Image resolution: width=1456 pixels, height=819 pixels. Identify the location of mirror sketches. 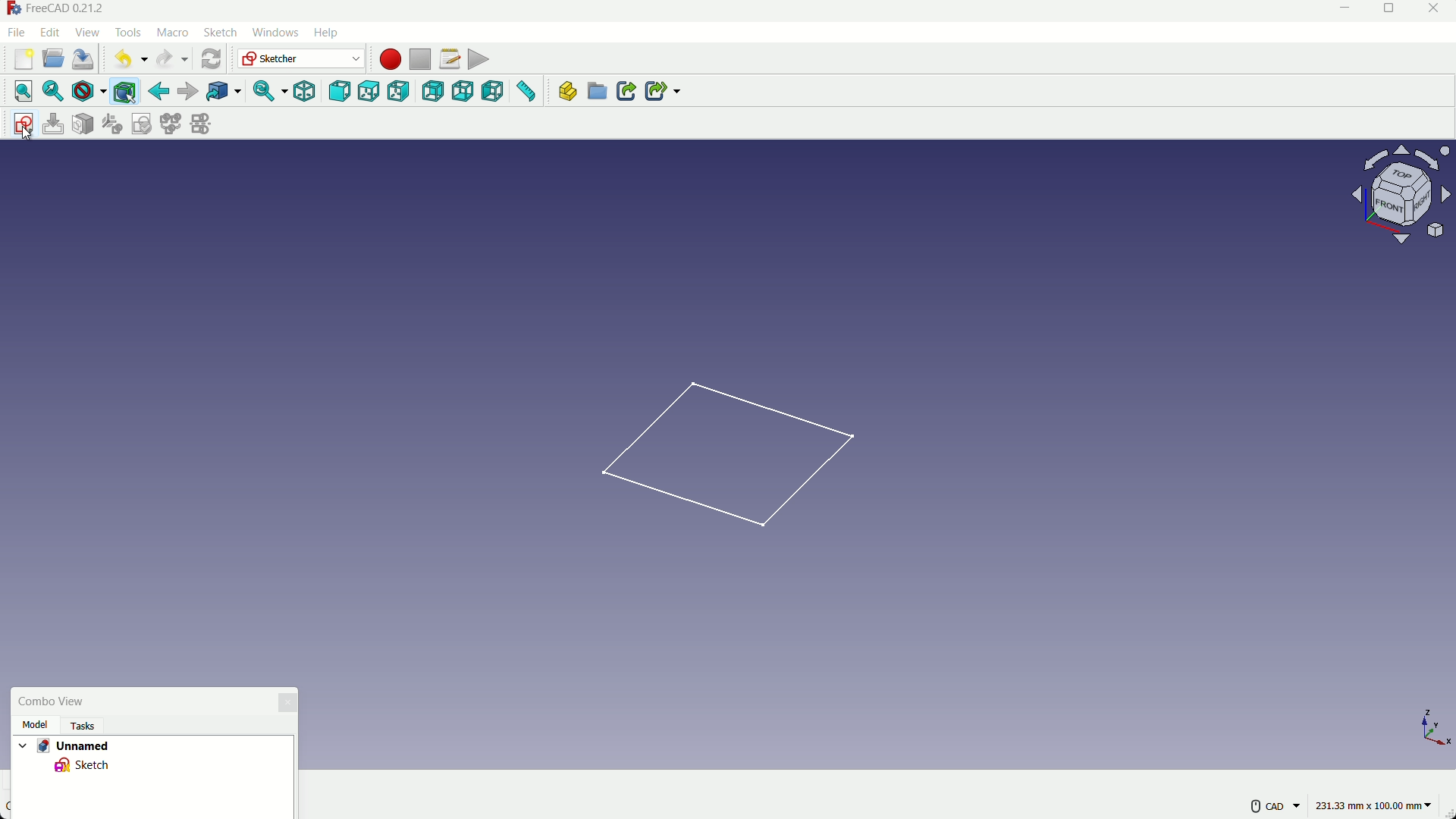
(198, 122).